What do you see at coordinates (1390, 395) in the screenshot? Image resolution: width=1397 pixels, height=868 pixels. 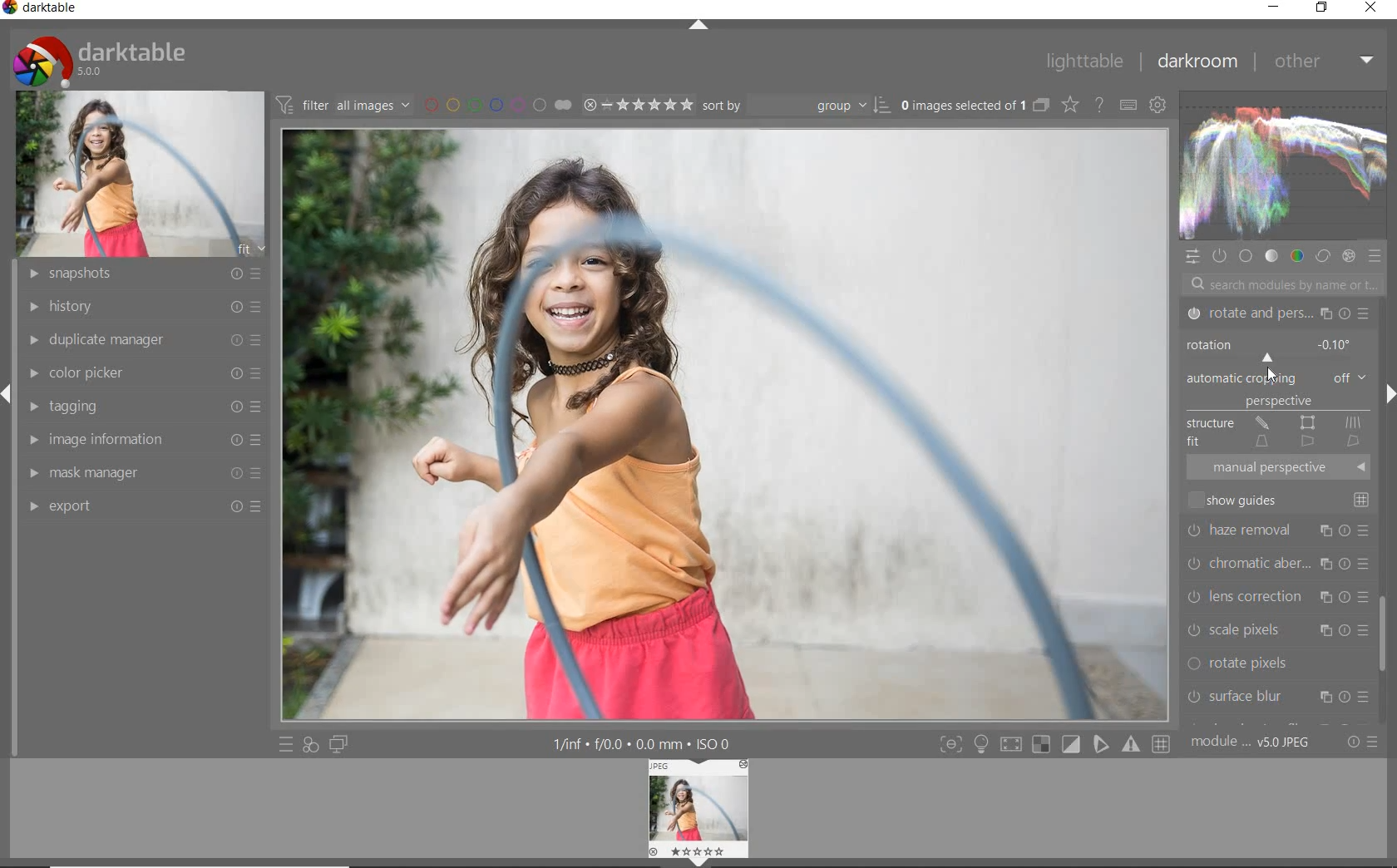 I see `expand/collapse` at bounding box center [1390, 395].